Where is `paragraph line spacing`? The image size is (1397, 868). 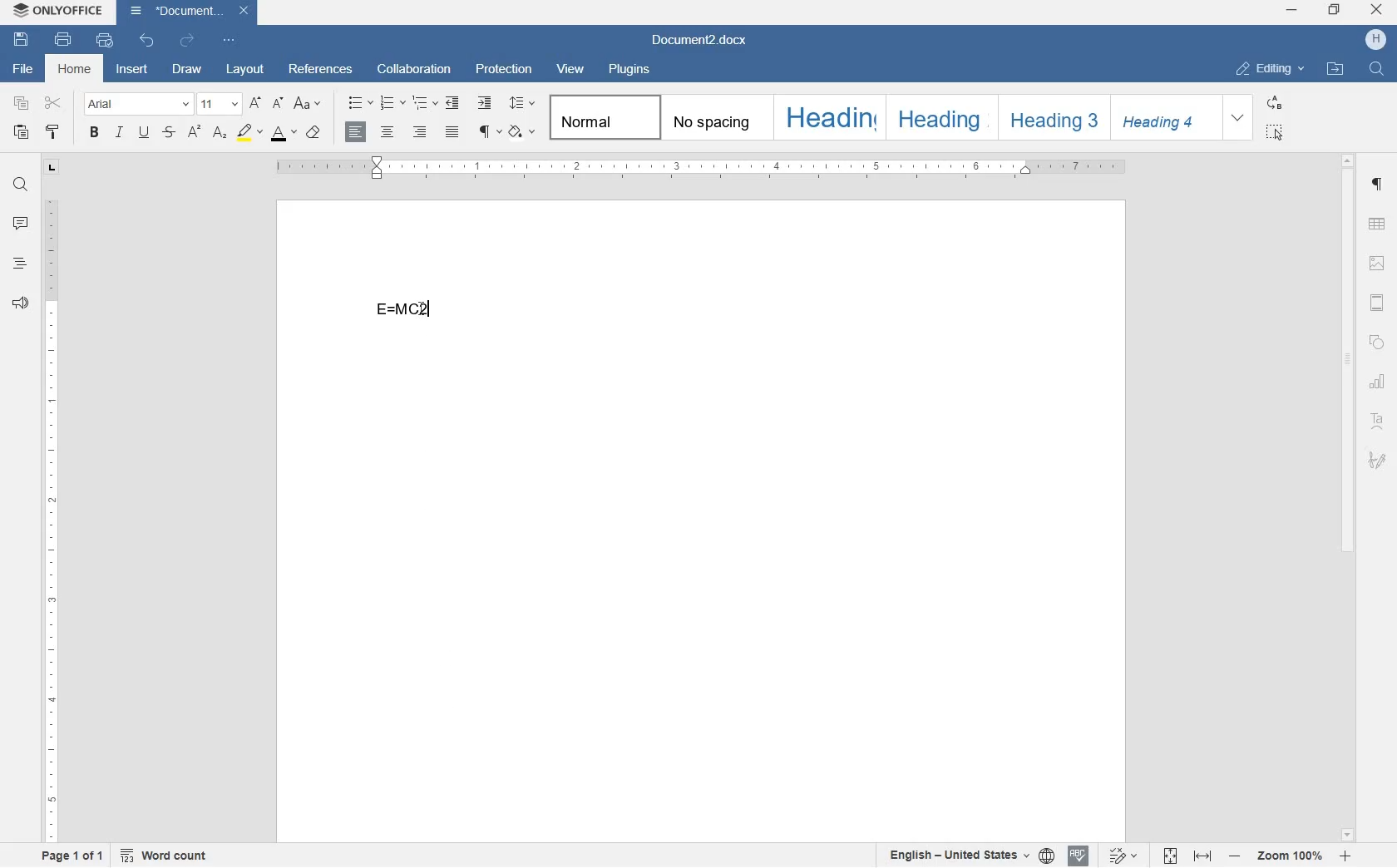 paragraph line spacing is located at coordinates (521, 103).